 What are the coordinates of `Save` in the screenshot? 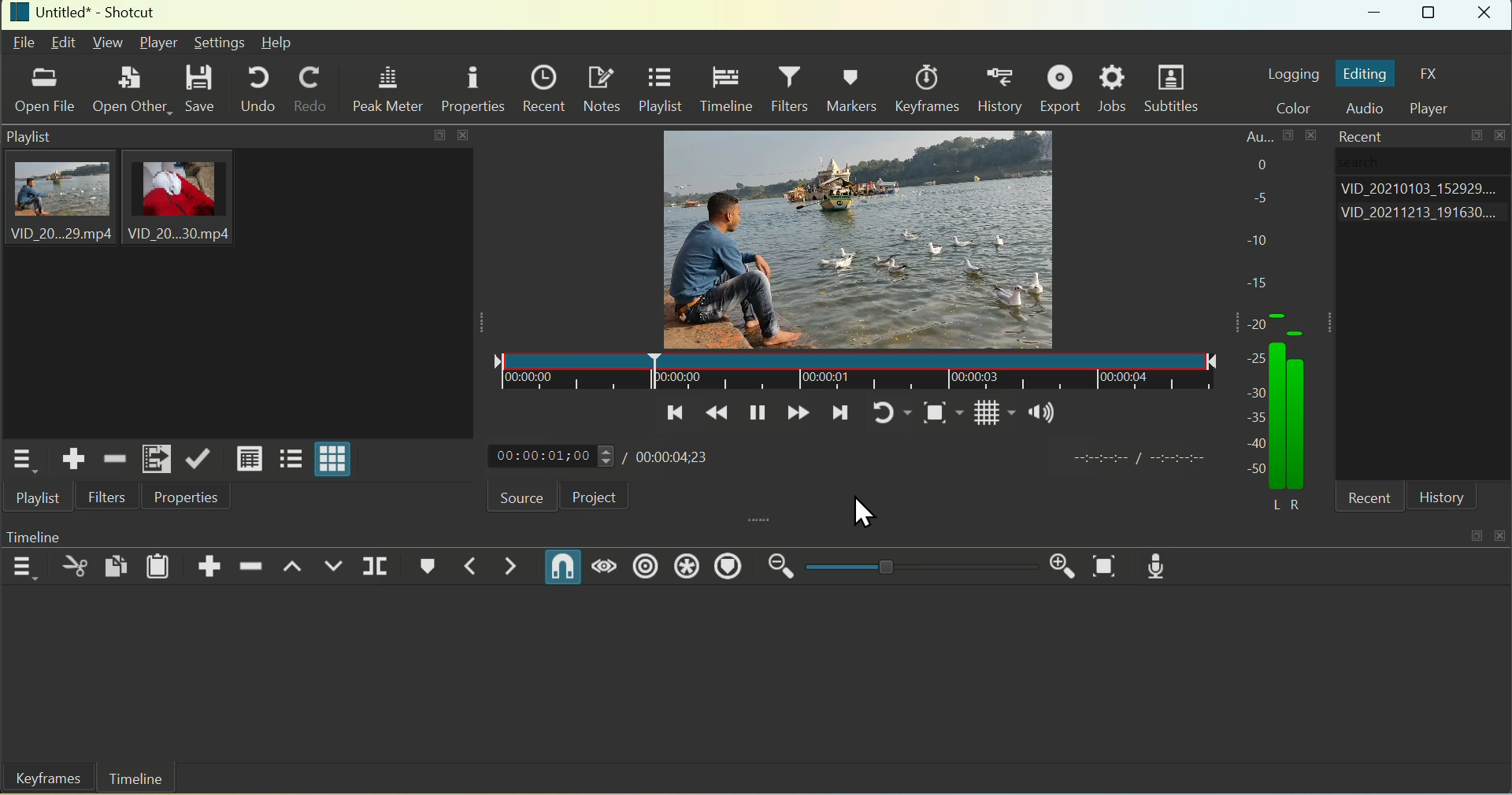 It's located at (202, 89).